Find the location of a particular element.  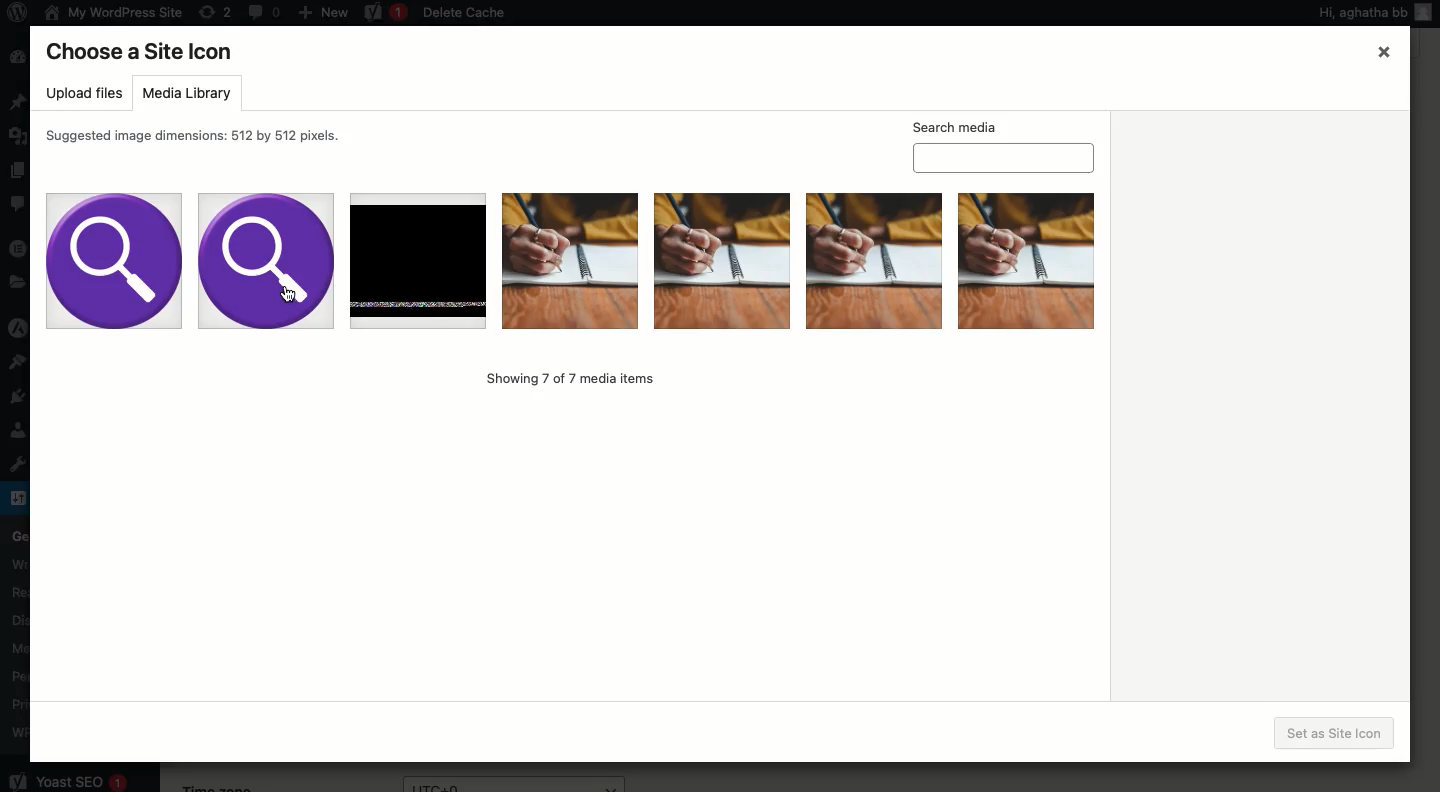

user icon is located at coordinates (1427, 20).